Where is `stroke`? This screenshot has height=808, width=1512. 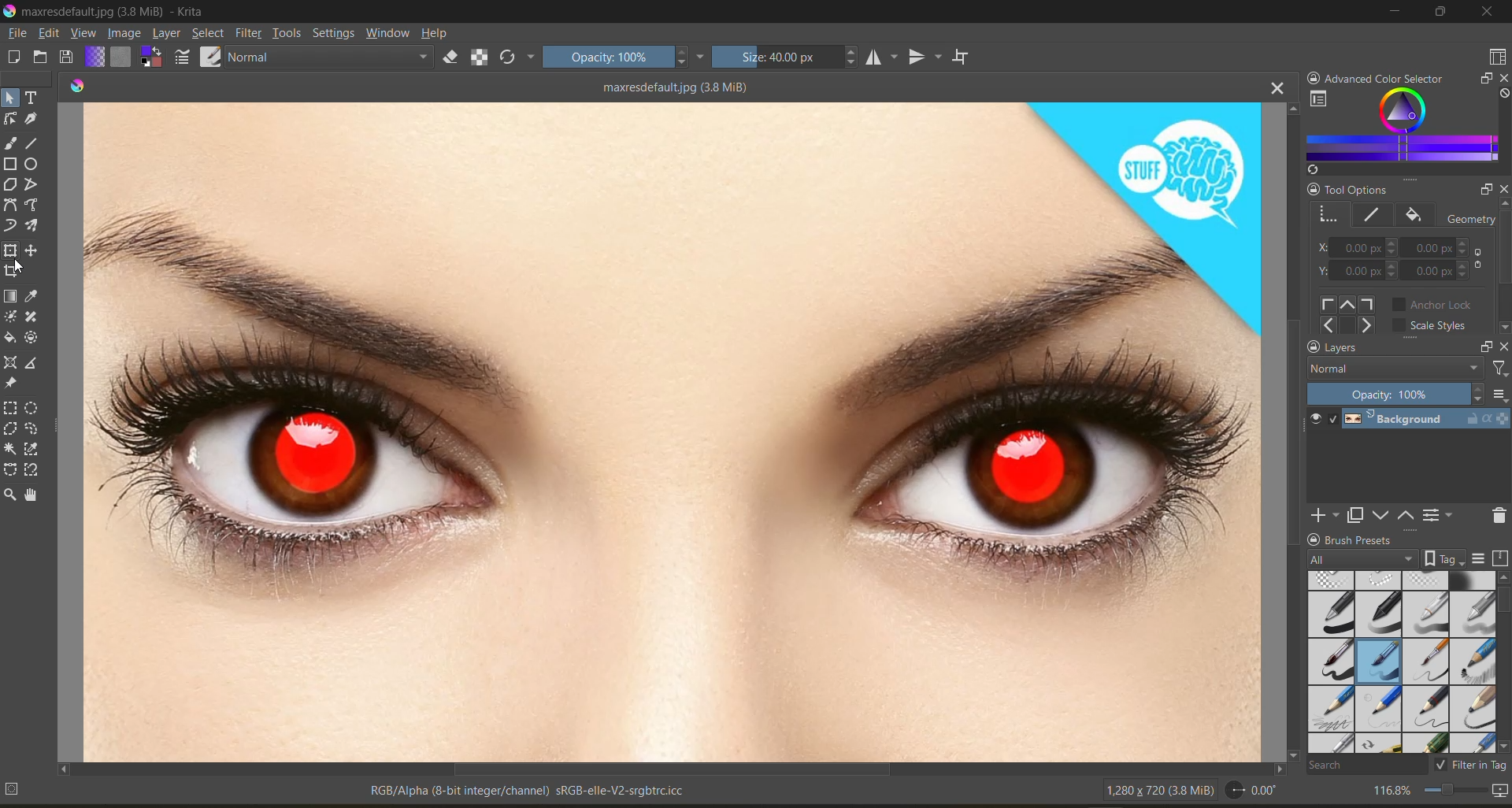
stroke is located at coordinates (1374, 214).